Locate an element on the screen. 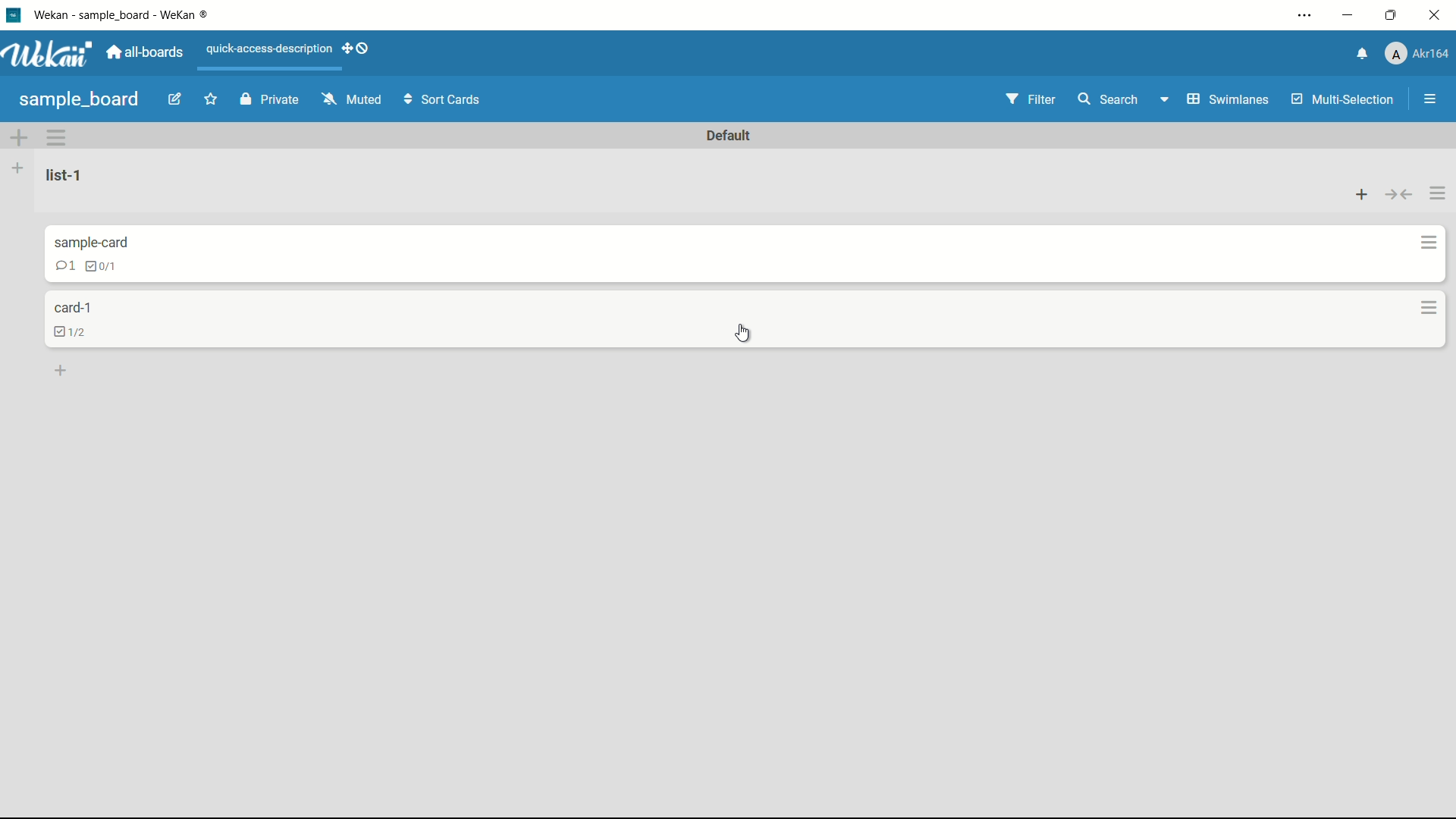  add card to top of list is located at coordinates (1360, 189).